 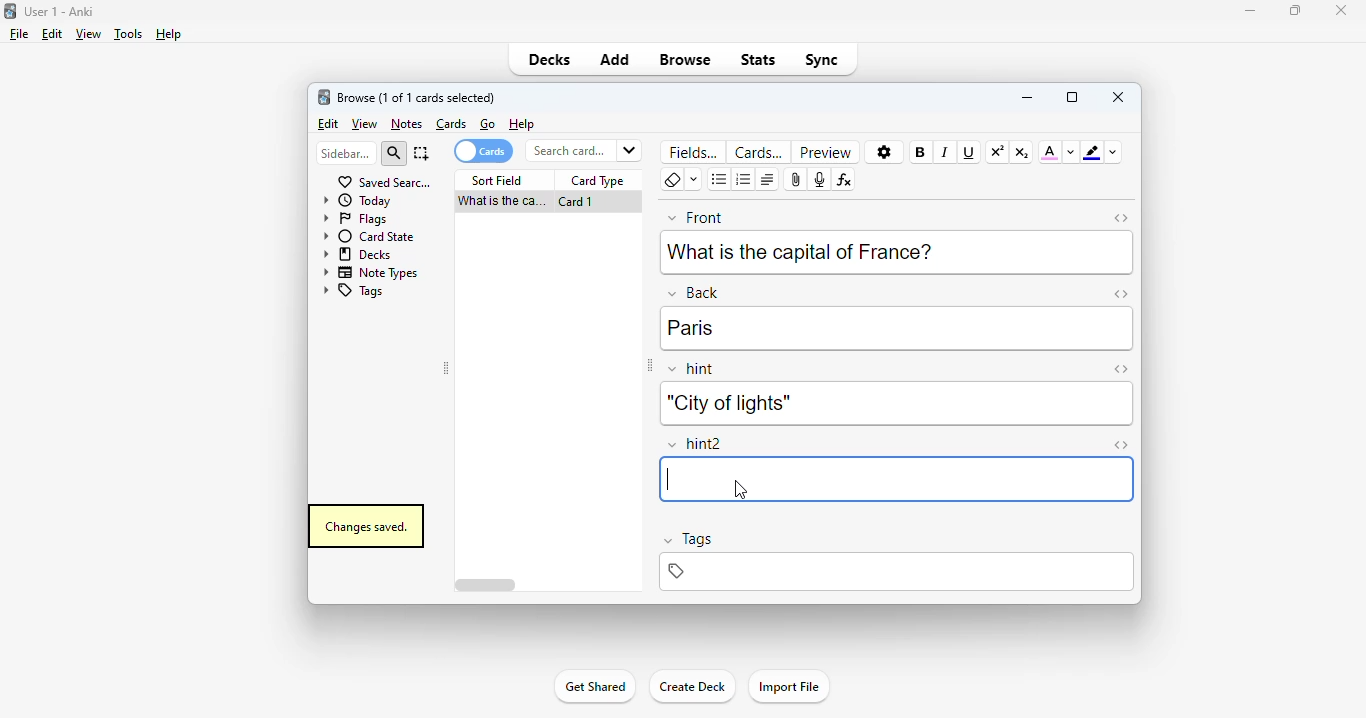 I want to click on cards, so click(x=482, y=151).